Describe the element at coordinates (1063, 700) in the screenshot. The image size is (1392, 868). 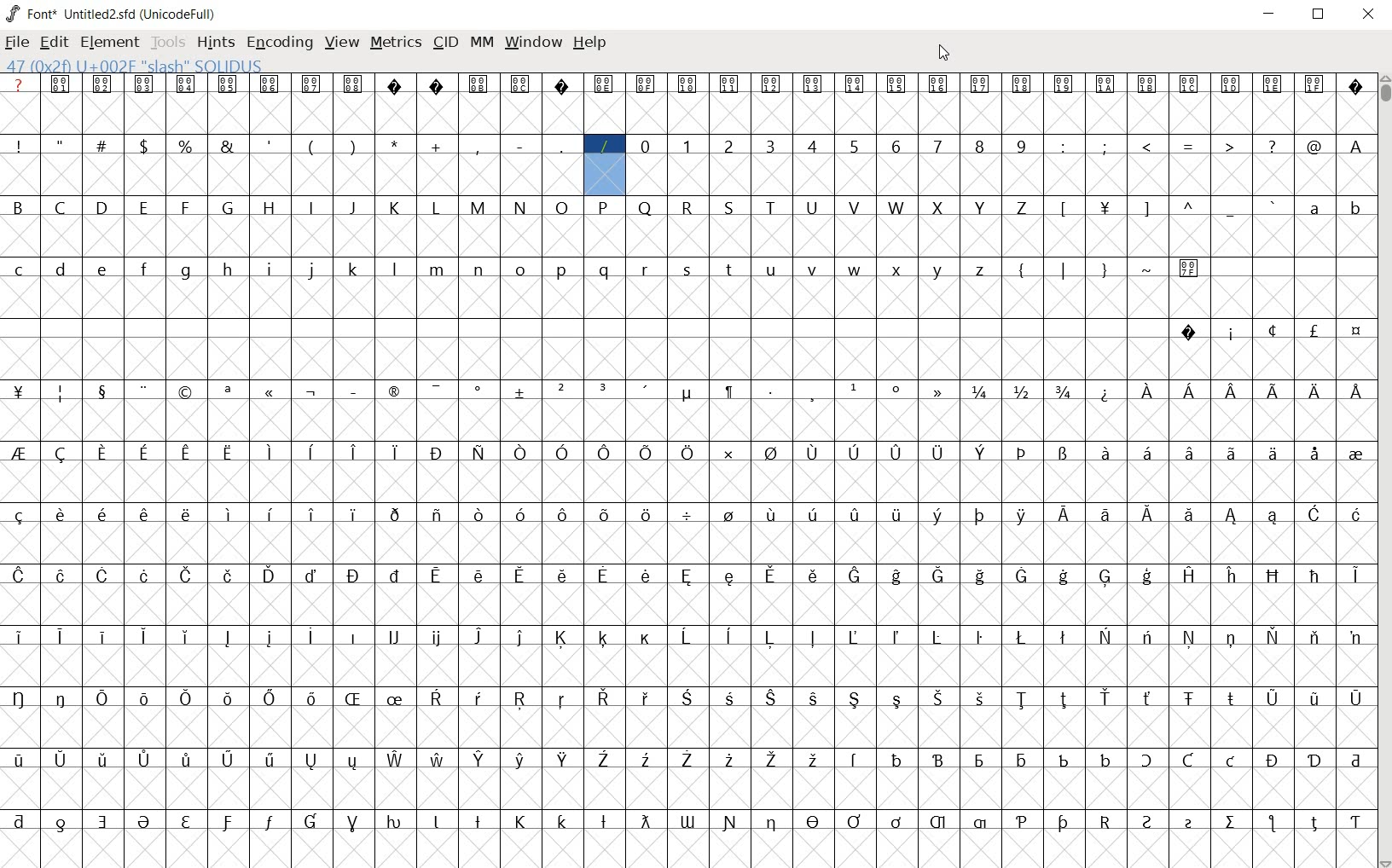
I see `glyph` at that location.